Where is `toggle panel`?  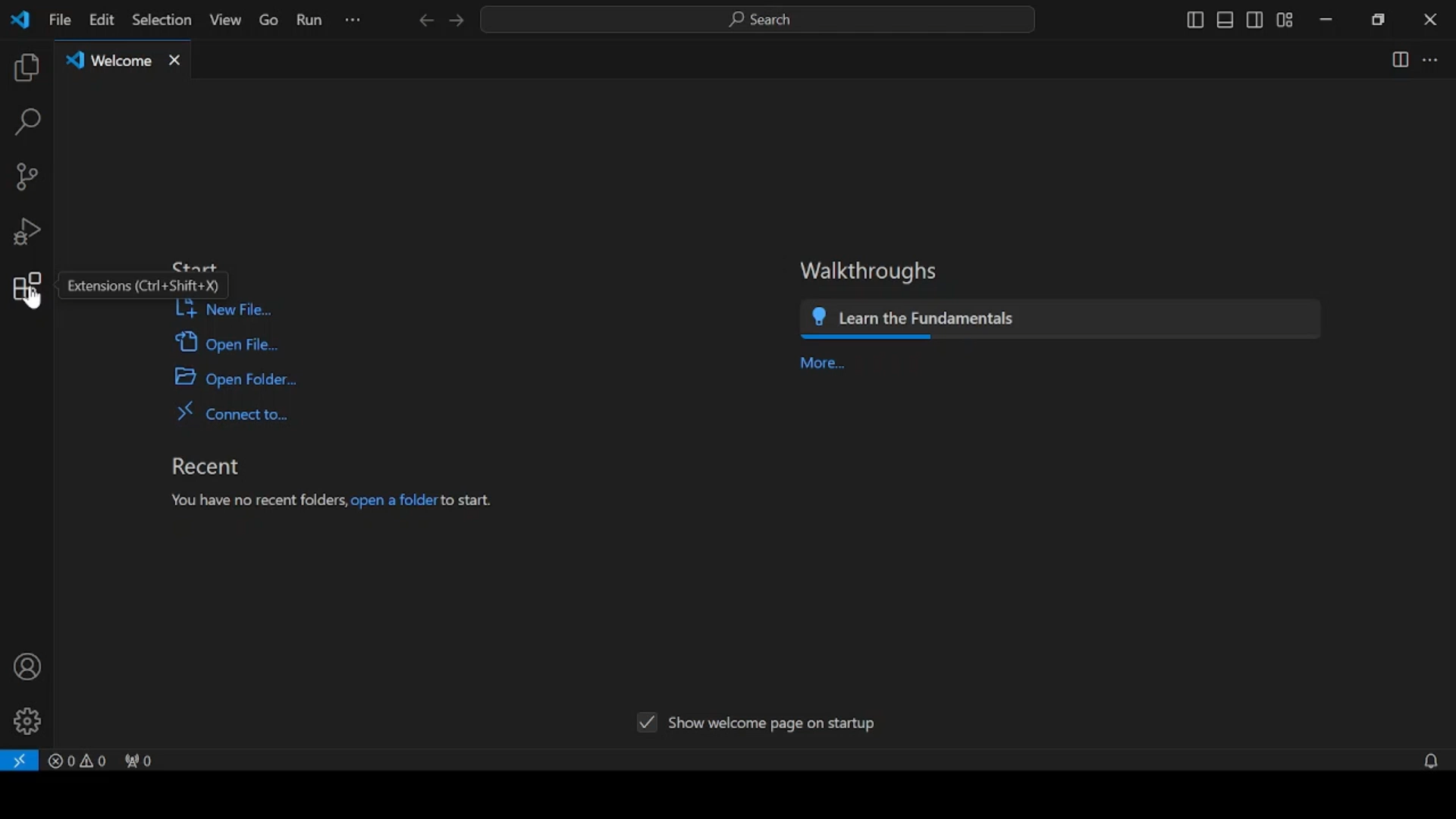
toggle panel is located at coordinates (1225, 20).